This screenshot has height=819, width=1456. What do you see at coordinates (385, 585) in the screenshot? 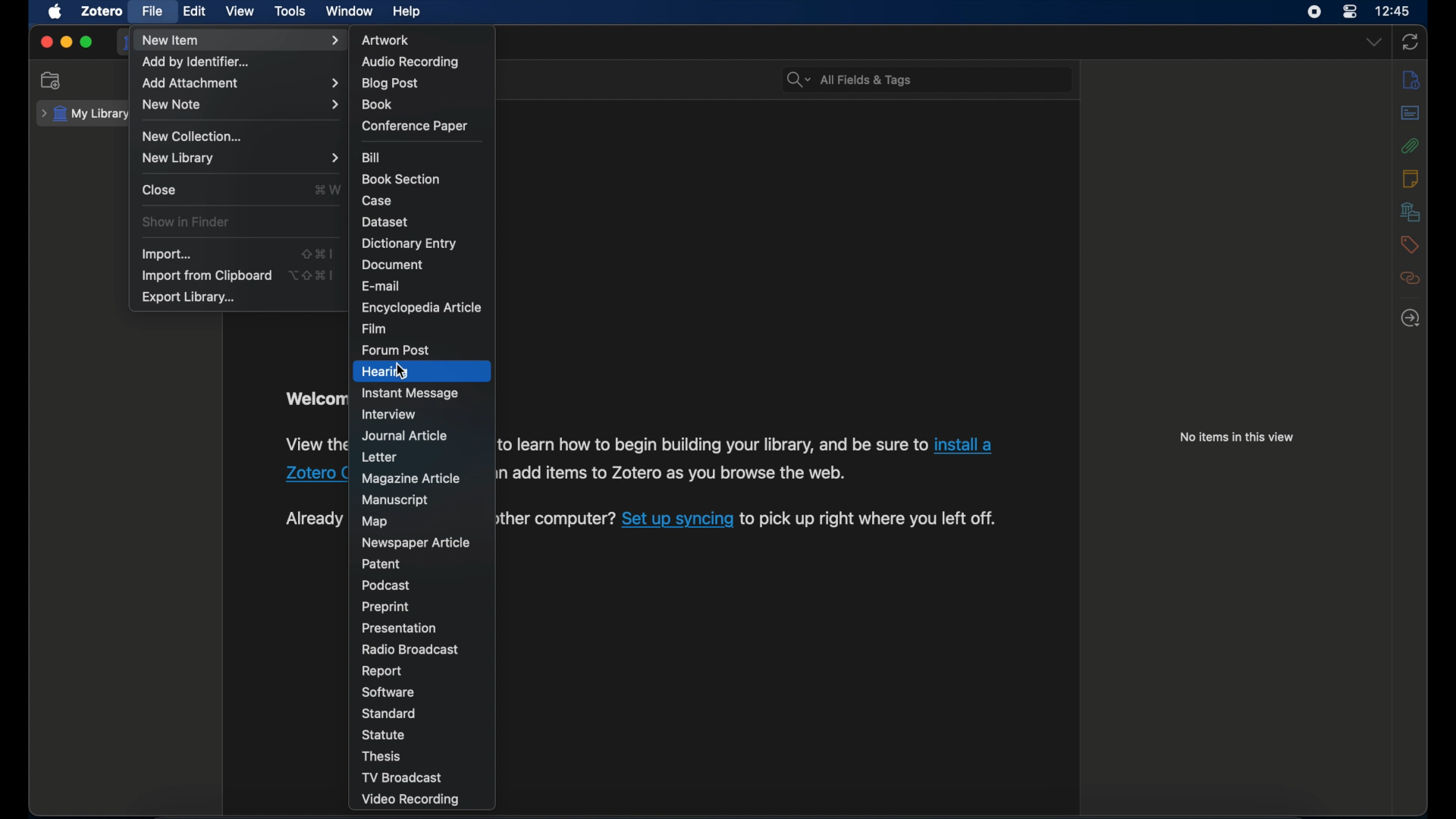
I see `podcast` at bounding box center [385, 585].